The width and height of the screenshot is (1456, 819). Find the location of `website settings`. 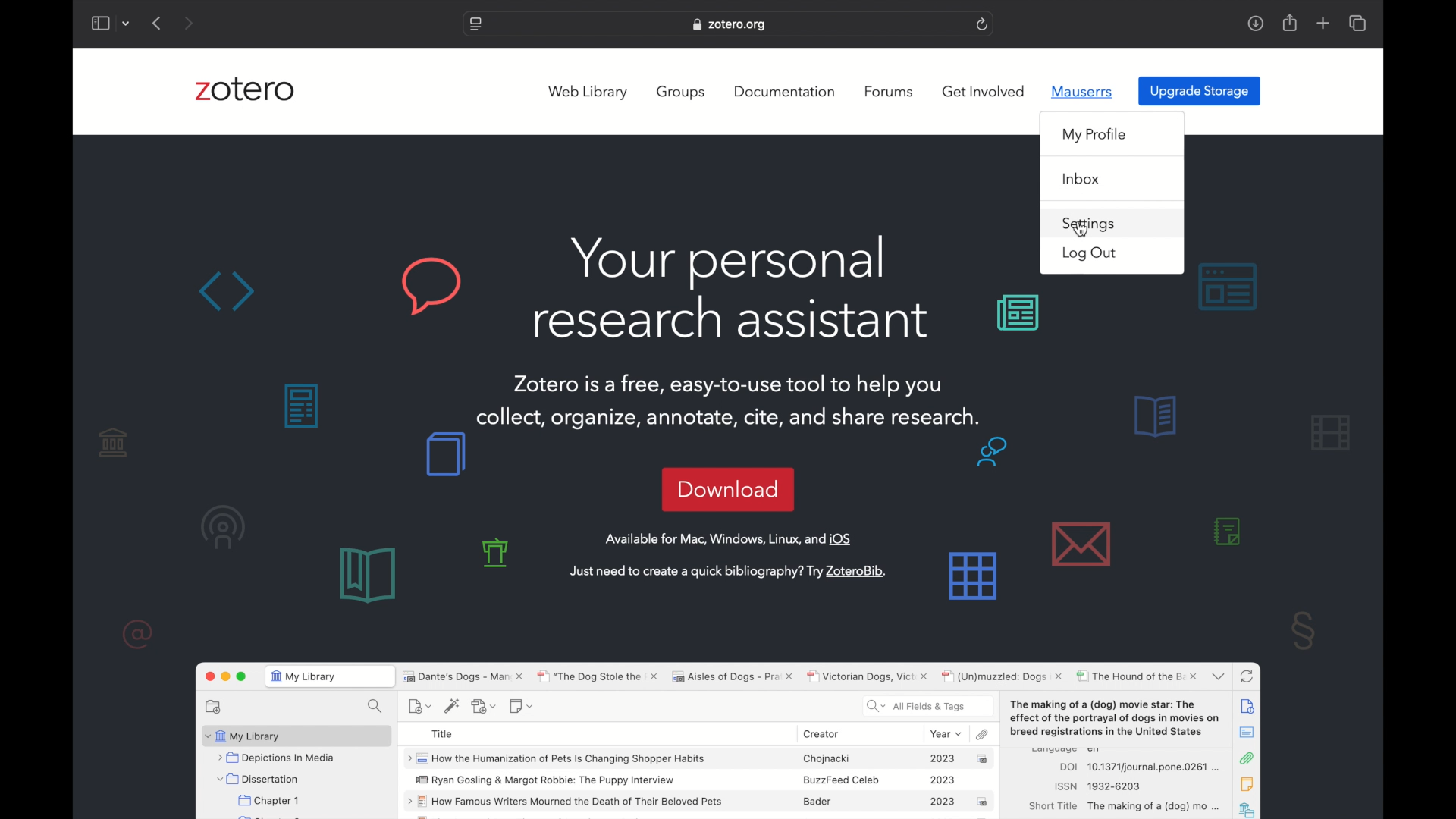

website settings is located at coordinates (475, 25).